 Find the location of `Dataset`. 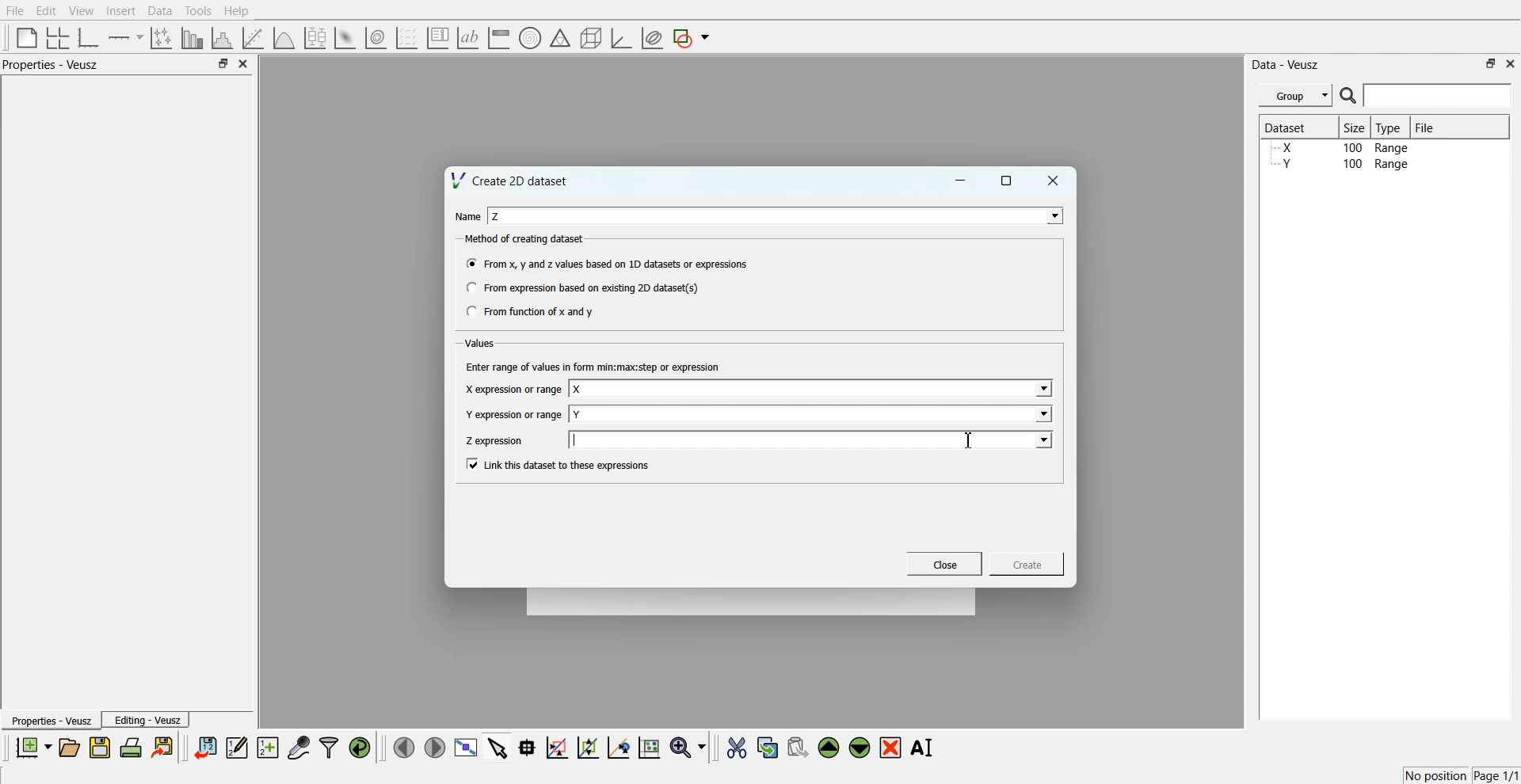

Dataset is located at coordinates (1293, 127).